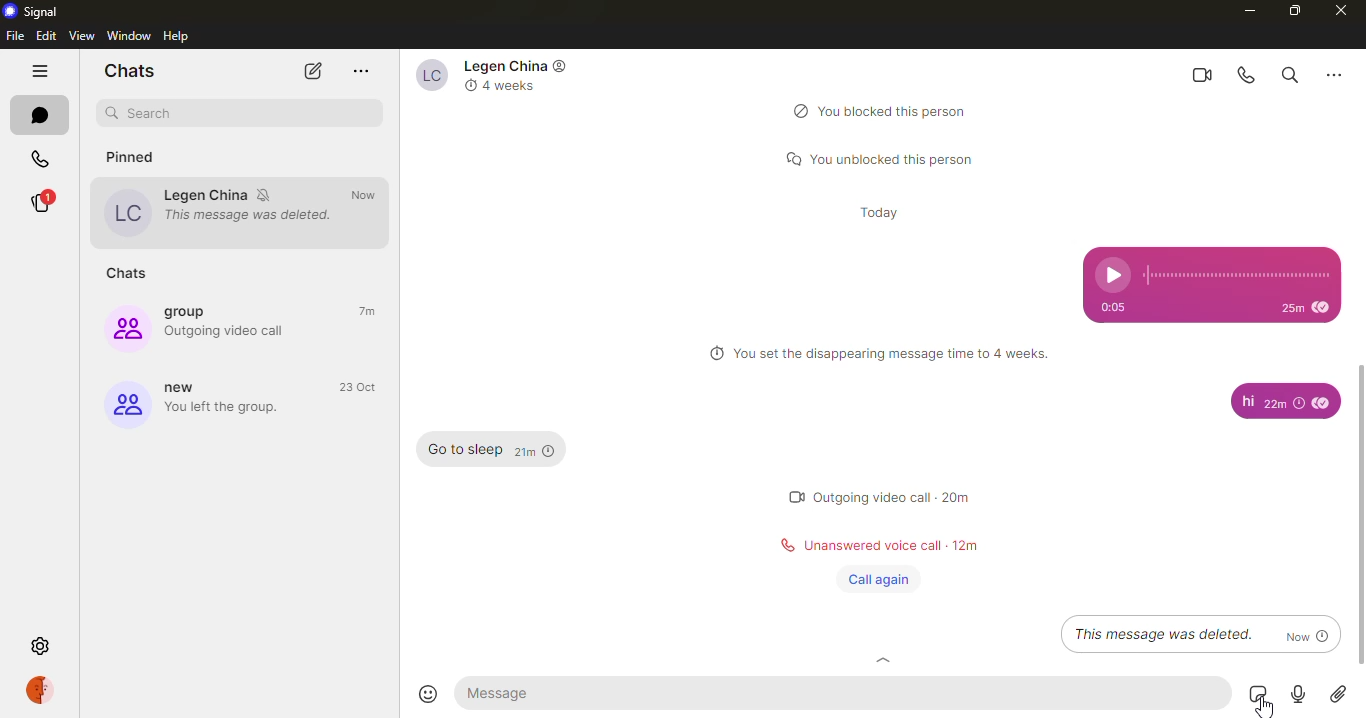 Image resolution: width=1366 pixels, height=718 pixels. Describe the element at coordinates (357, 386) in the screenshot. I see `23 oct` at that location.